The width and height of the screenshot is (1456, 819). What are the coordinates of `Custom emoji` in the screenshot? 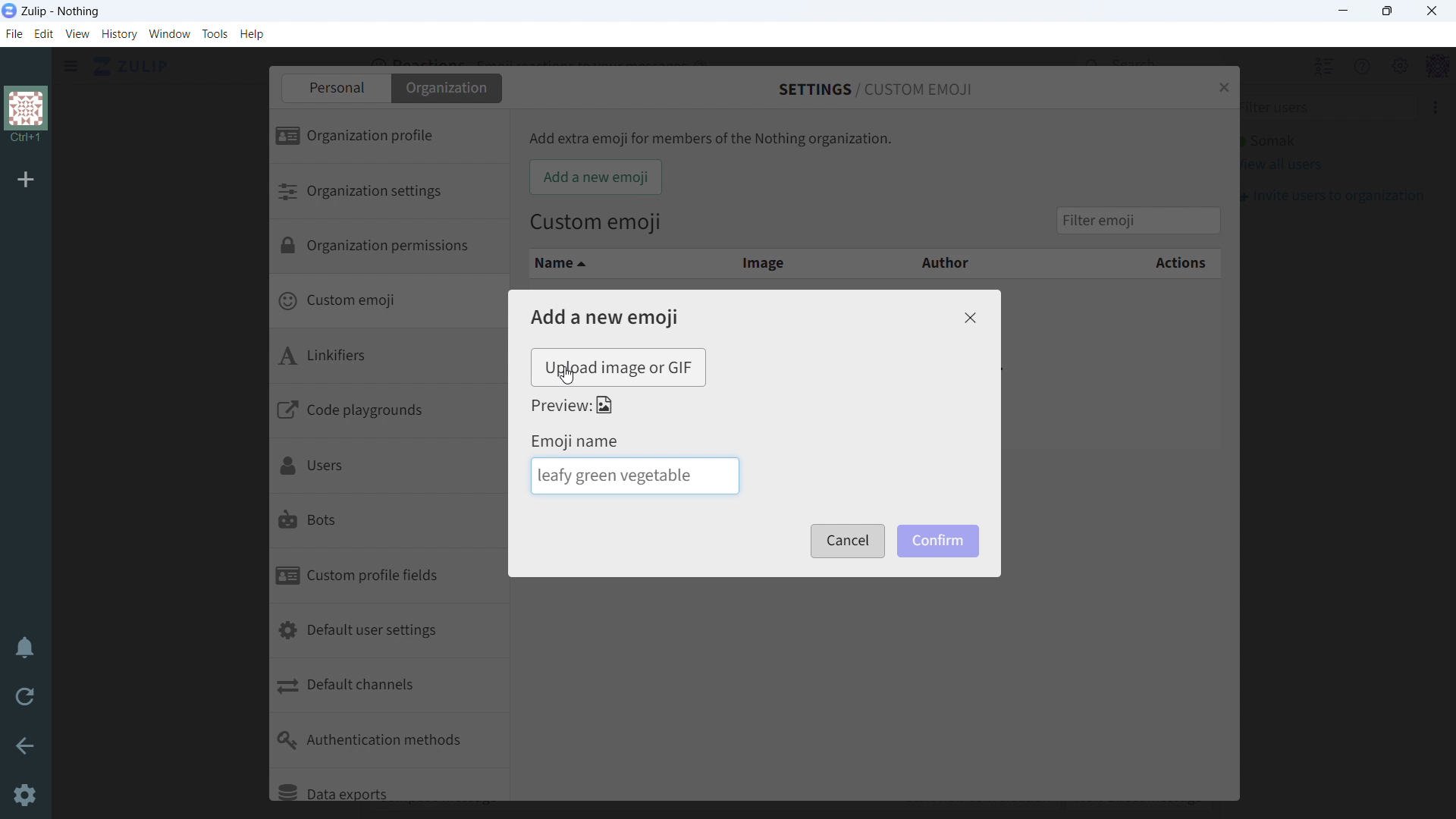 It's located at (596, 224).